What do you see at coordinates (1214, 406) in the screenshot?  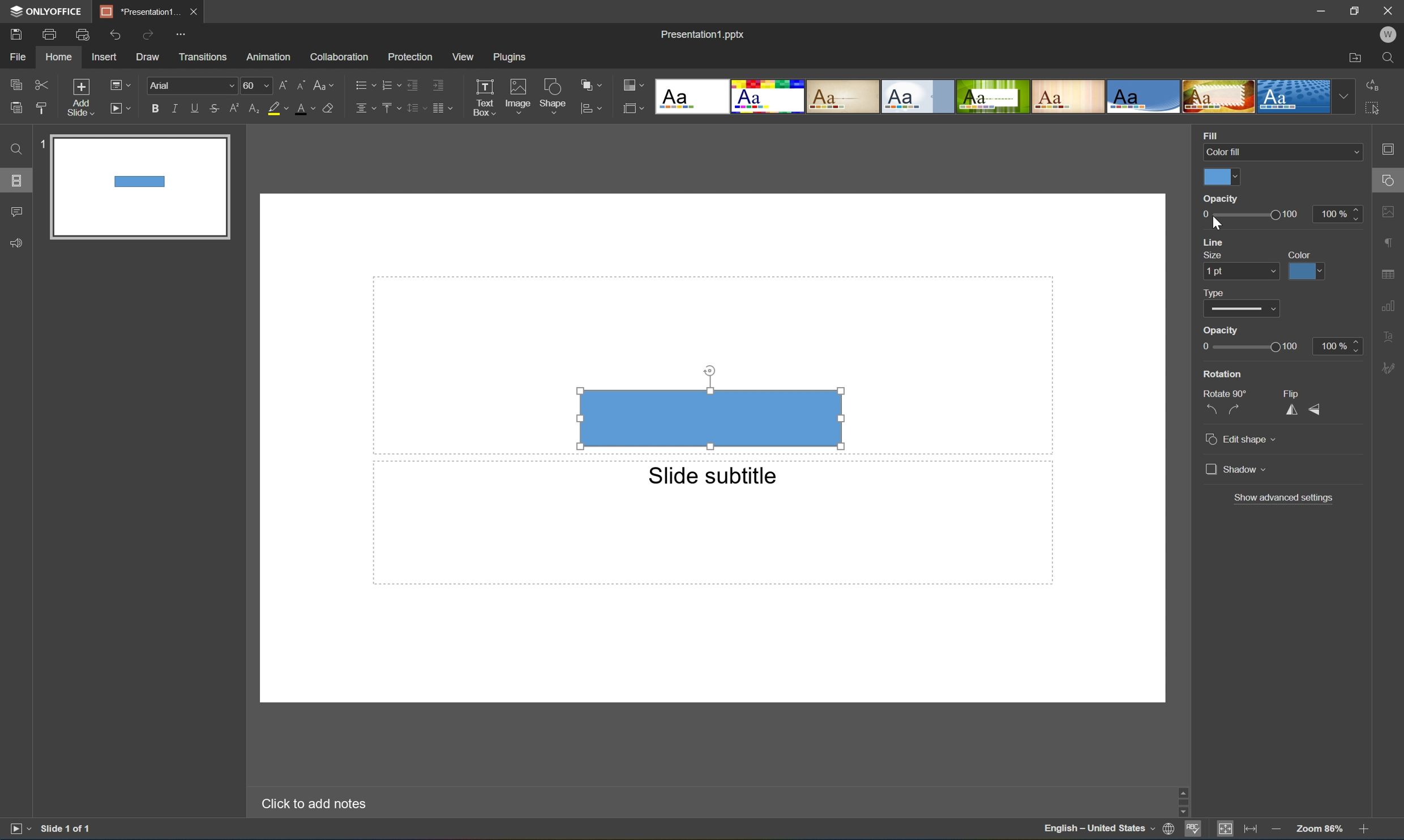 I see `Rotate 90° counterclockwise` at bounding box center [1214, 406].